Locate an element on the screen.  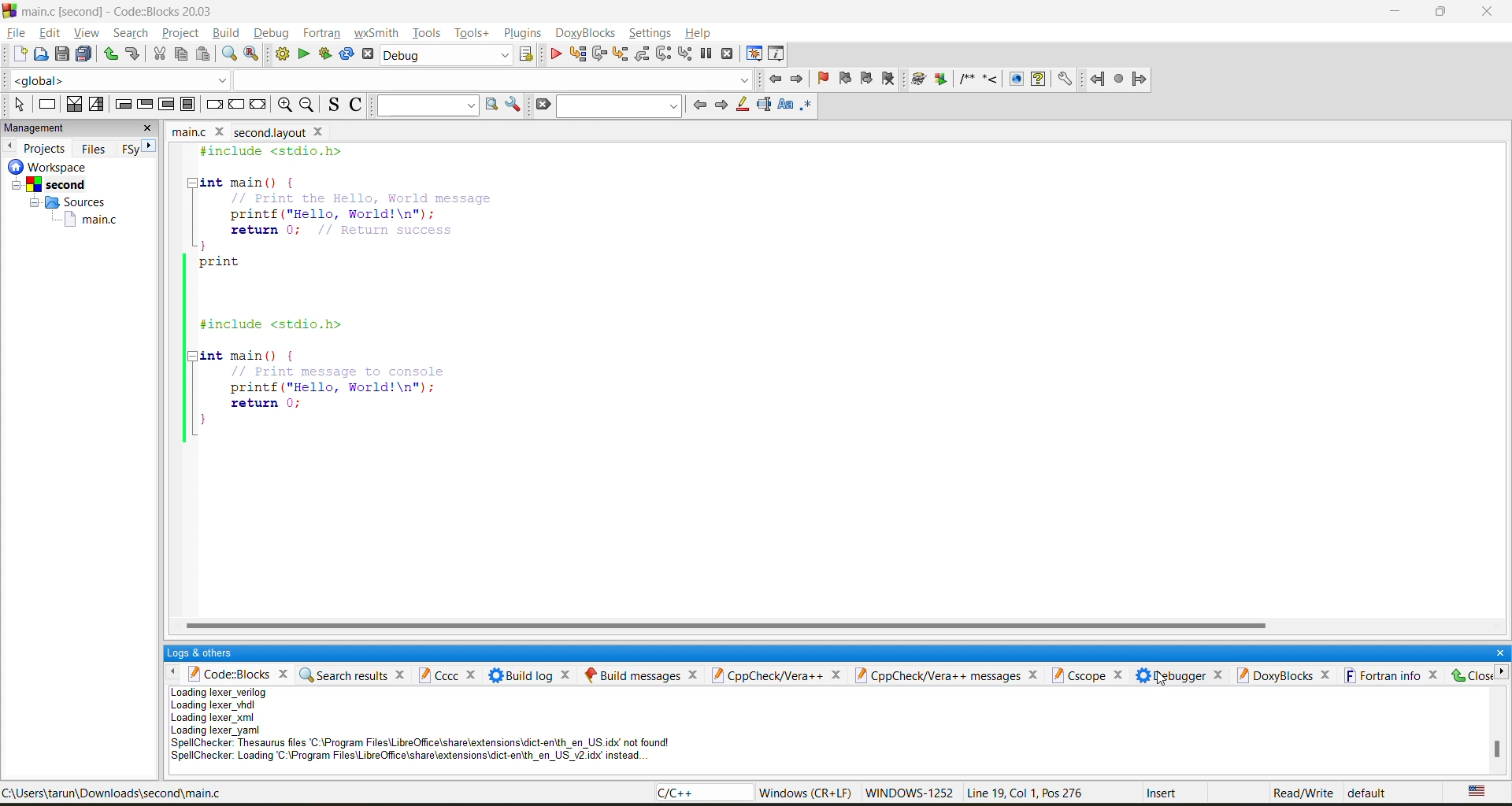
jump back is located at coordinates (780, 78).